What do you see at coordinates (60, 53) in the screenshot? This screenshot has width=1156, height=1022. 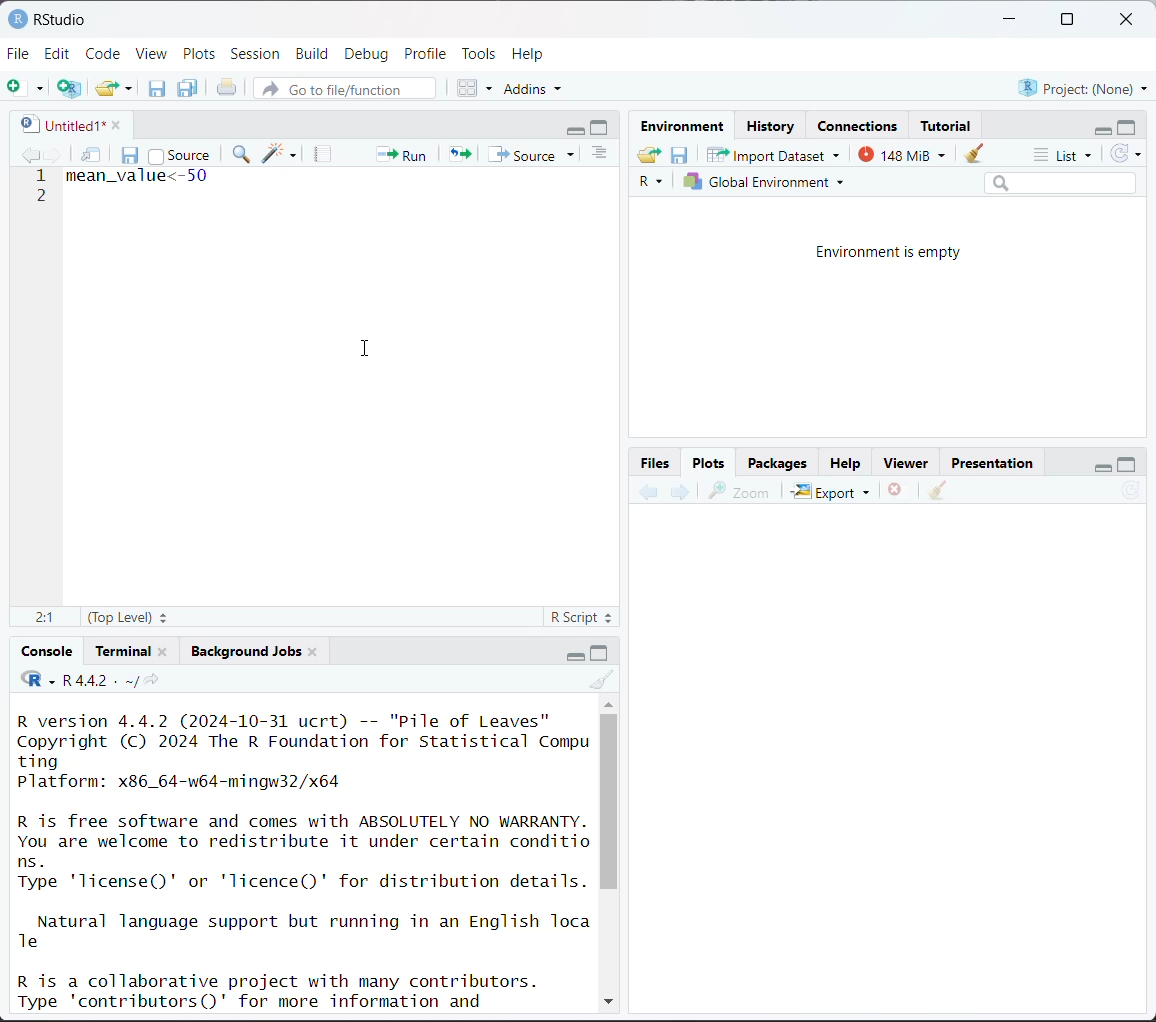 I see `Edit` at bounding box center [60, 53].